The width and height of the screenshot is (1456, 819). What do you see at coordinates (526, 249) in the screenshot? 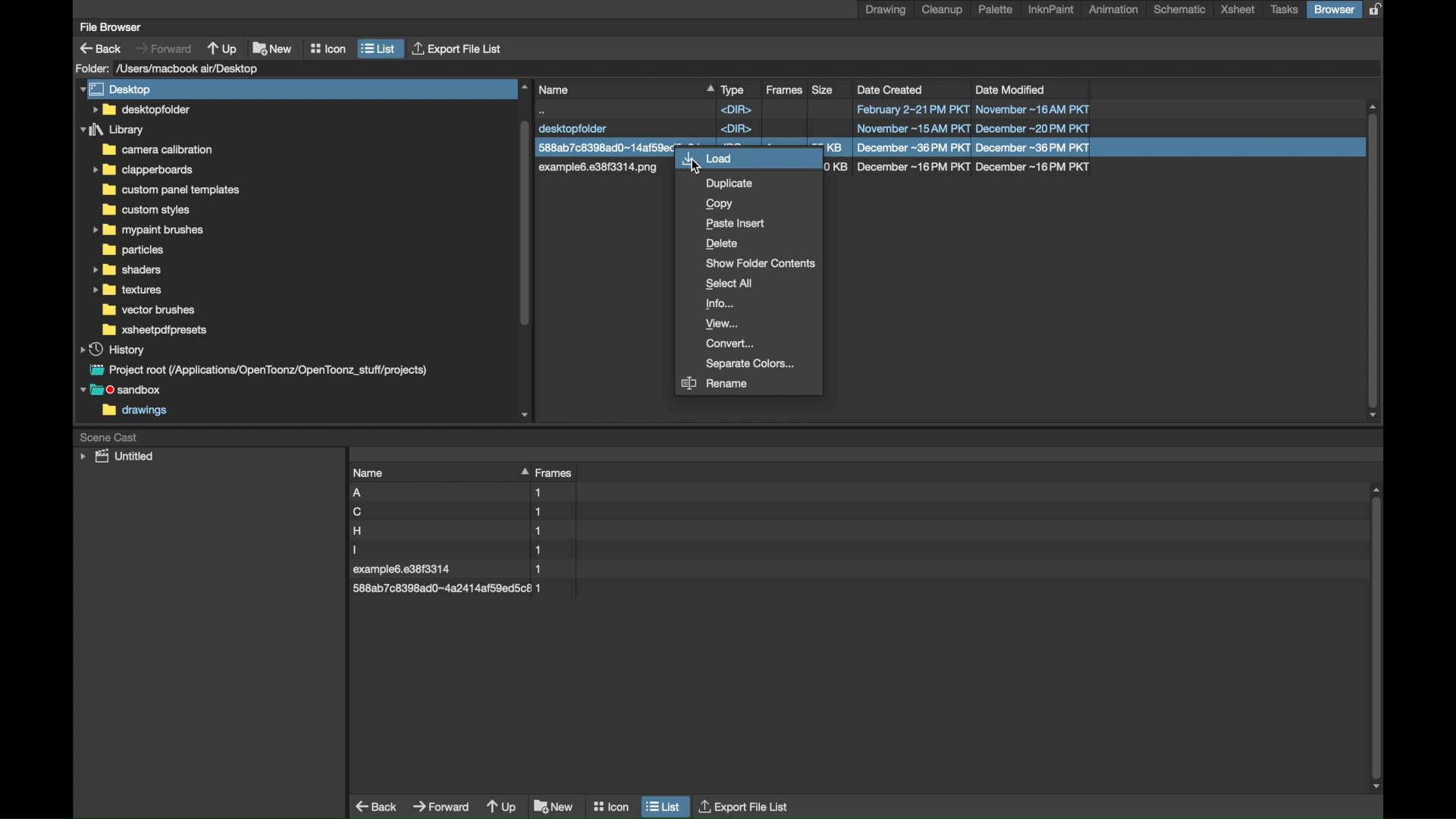
I see `scroll box` at bounding box center [526, 249].